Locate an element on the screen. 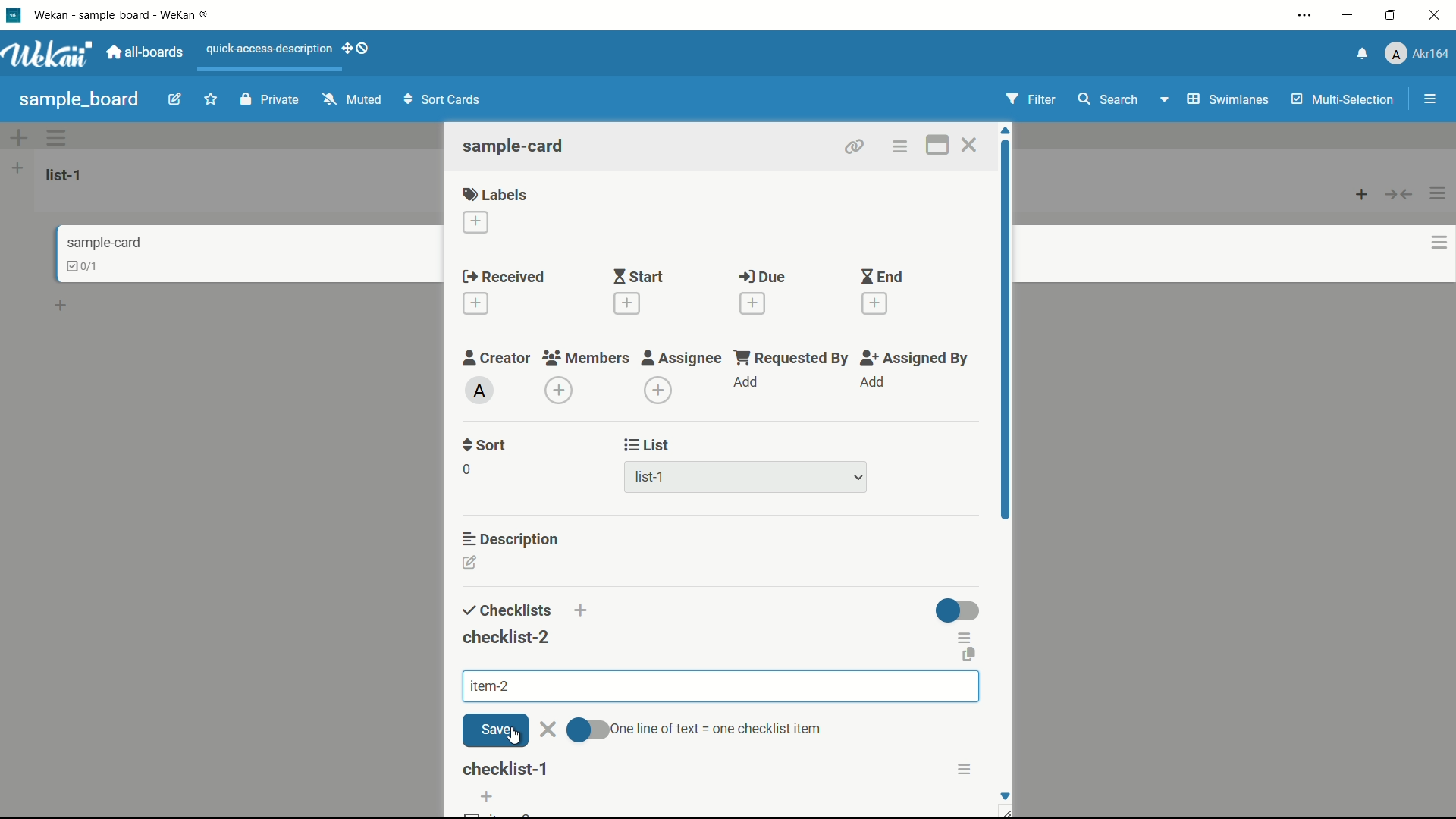 This screenshot has width=1456, height=819. all boards is located at coordinates (146, 52).